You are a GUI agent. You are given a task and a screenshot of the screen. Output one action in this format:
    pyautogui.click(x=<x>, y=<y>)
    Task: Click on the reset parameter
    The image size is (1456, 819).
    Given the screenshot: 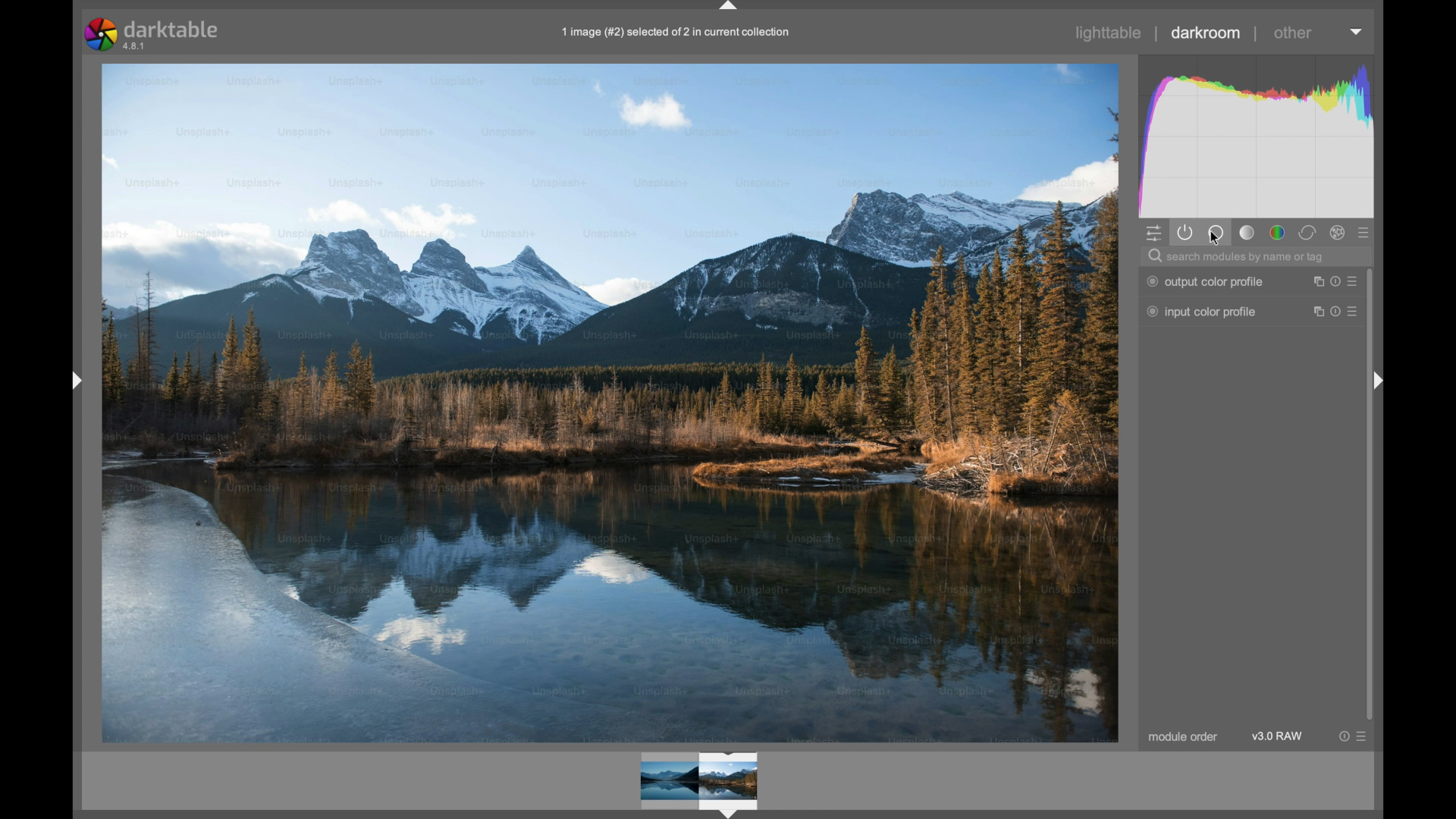 What is the action you would take?
    pyautogui.click(x=1344, y=736)
    